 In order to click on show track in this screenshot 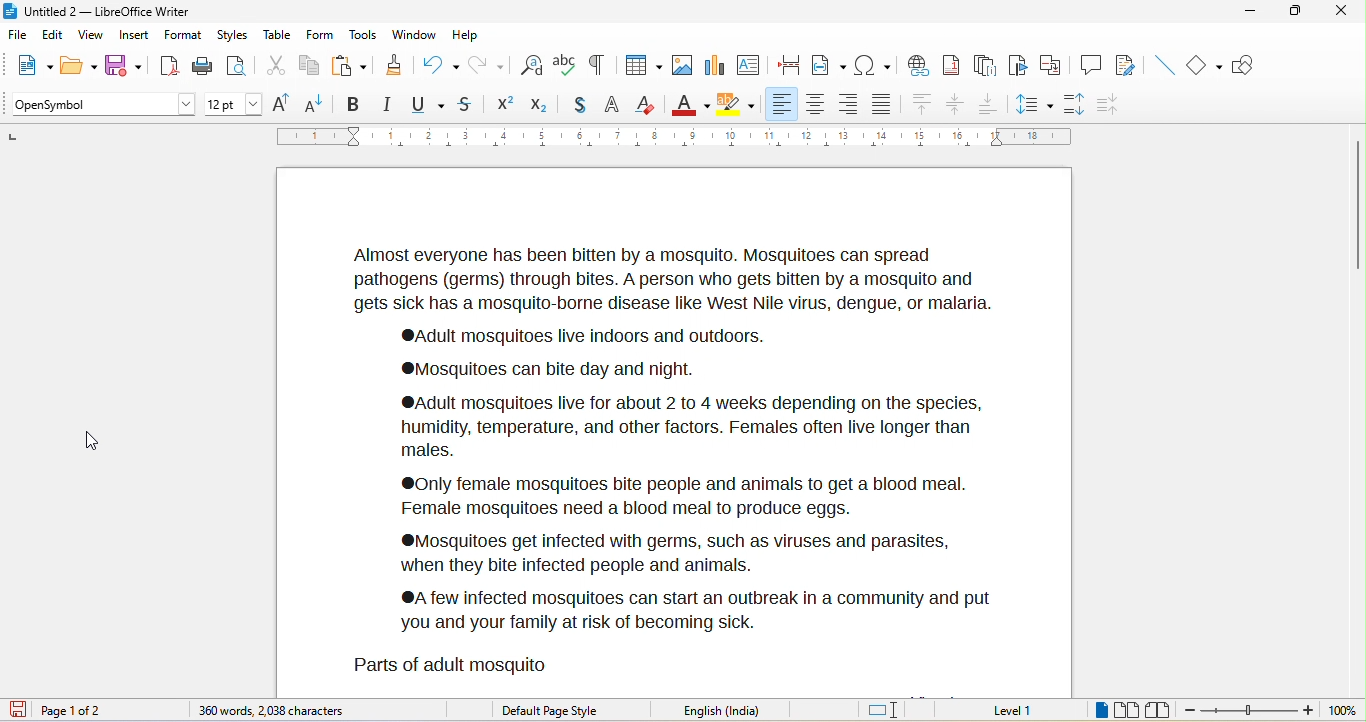, I will do `click(1132, 66)`.